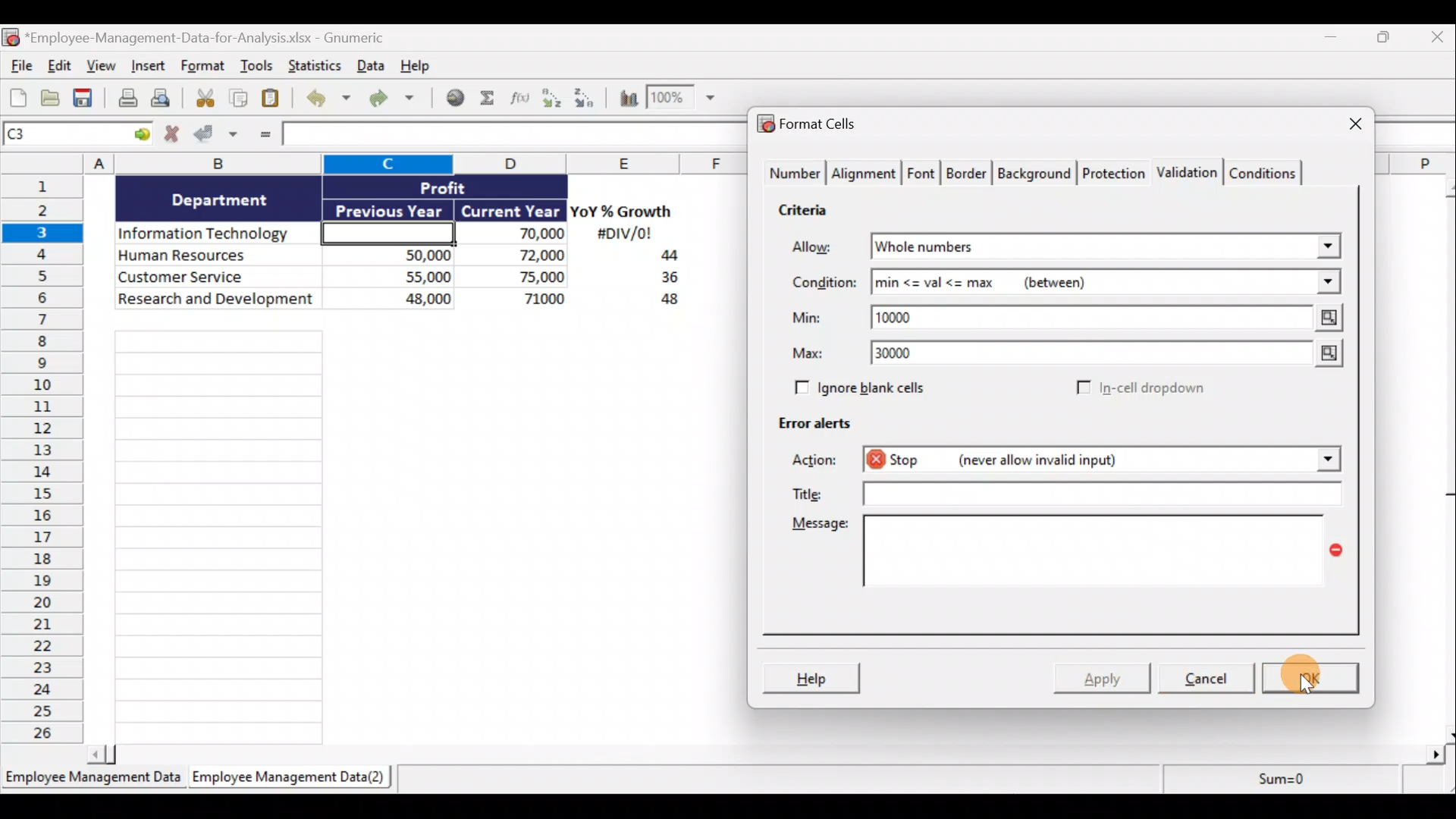 The height and width of the screenshot is (819, 1456). I want to click on Validation, so click(1189, 171).